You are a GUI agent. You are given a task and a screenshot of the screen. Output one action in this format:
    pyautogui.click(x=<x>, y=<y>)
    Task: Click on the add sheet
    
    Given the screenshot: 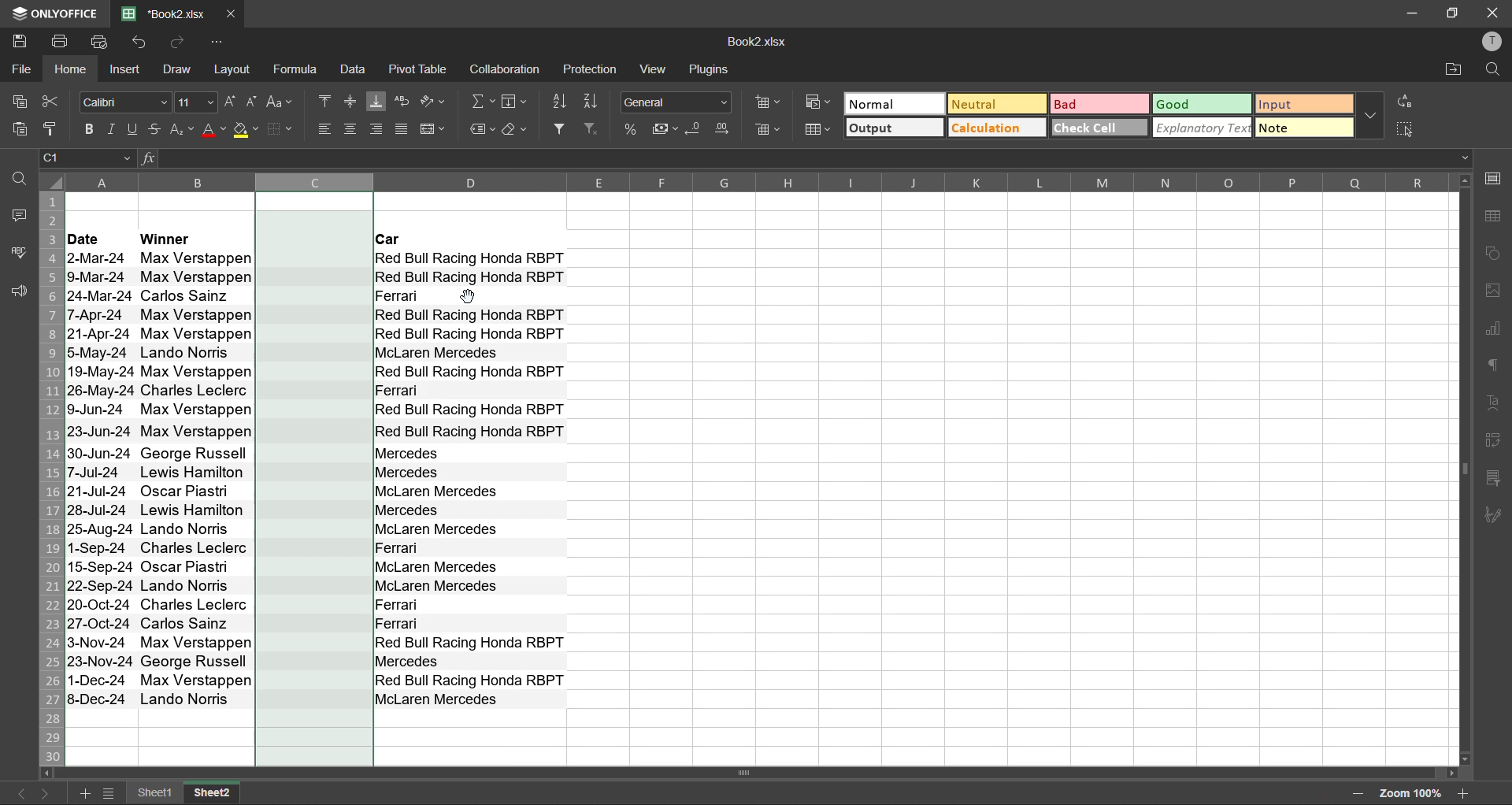 What is the action you would take?
    pyautogui.click(x=87, y=794)
    